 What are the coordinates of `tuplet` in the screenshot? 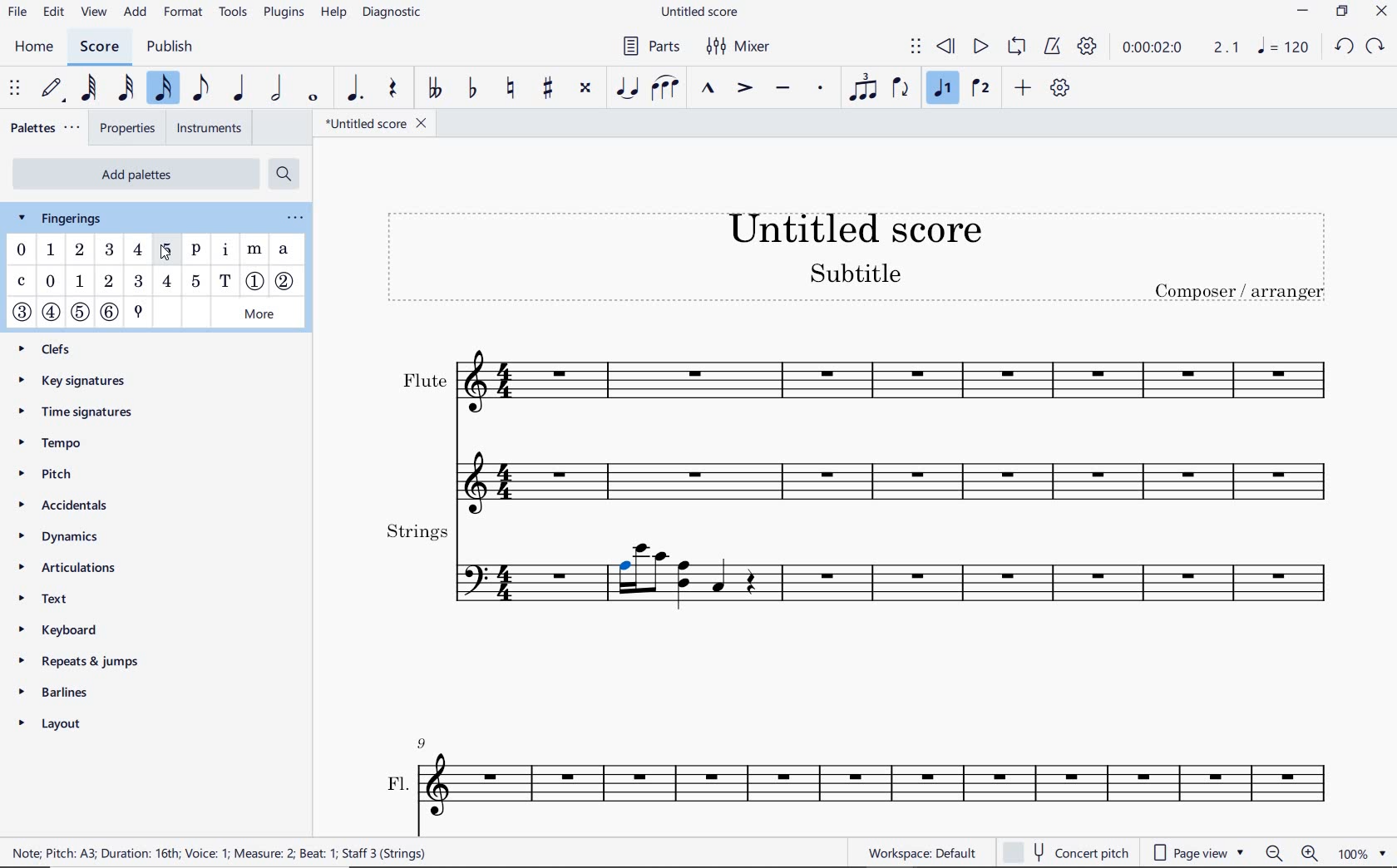 It's located at (864, 89).